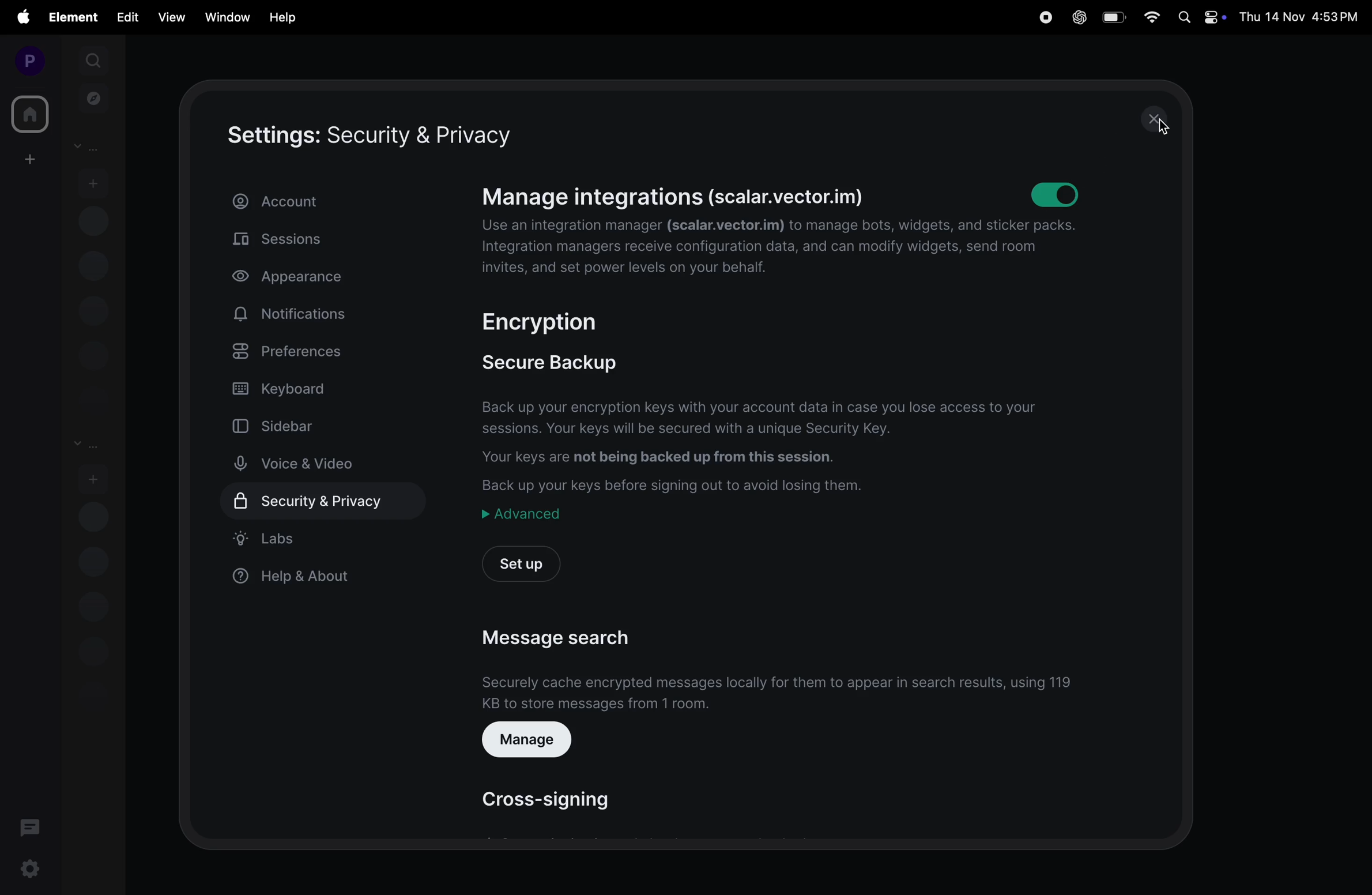 The image size is (1372, 895). I want to click on help & about, so click(293, 576).